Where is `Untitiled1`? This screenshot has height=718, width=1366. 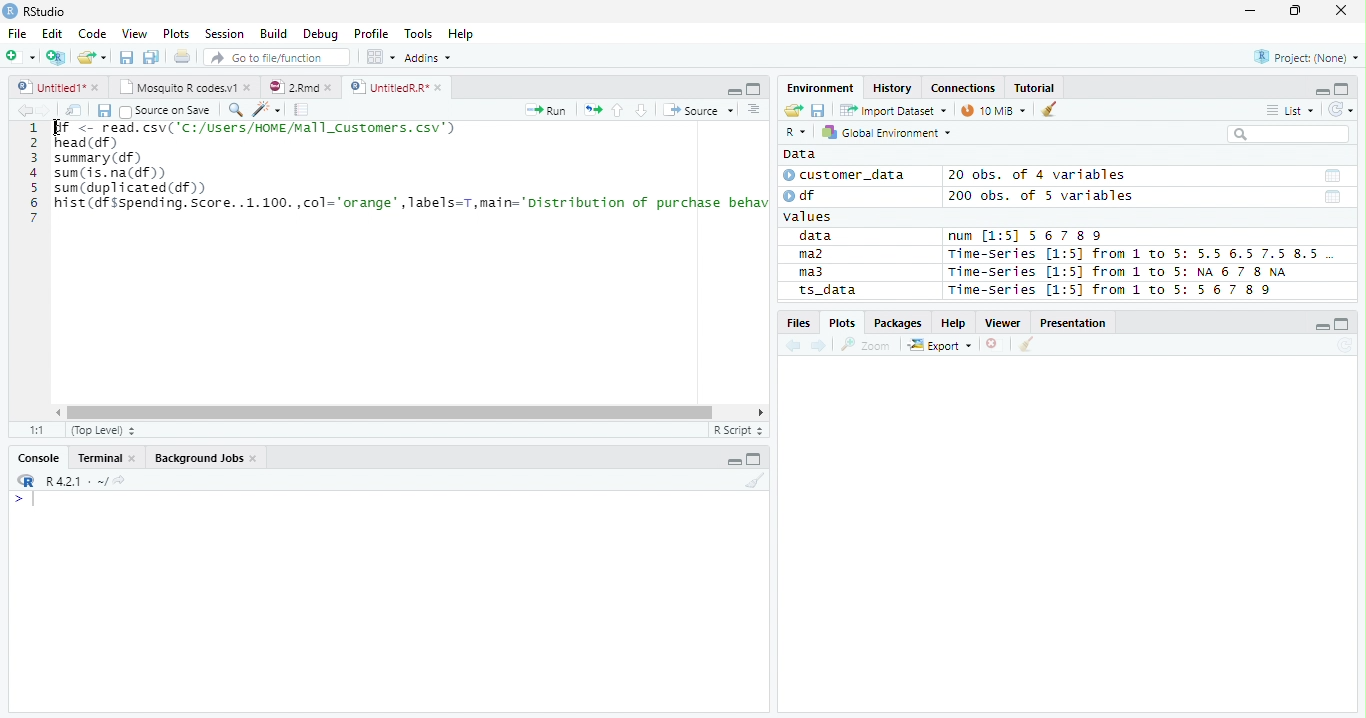
Untitiled1 is located at coordinates (57, 87).